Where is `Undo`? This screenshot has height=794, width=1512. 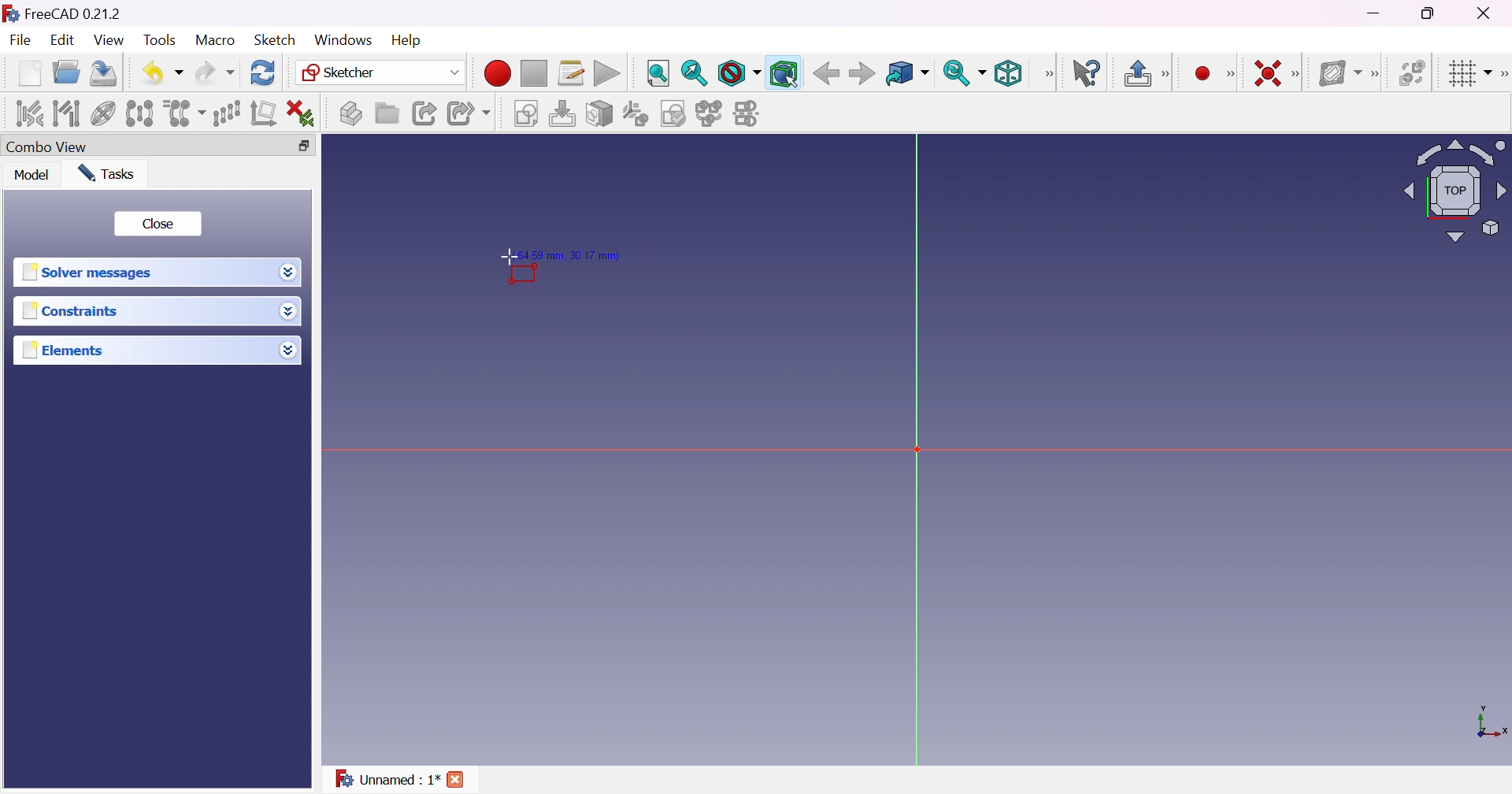 Undo is located at coordinates (163, 76).